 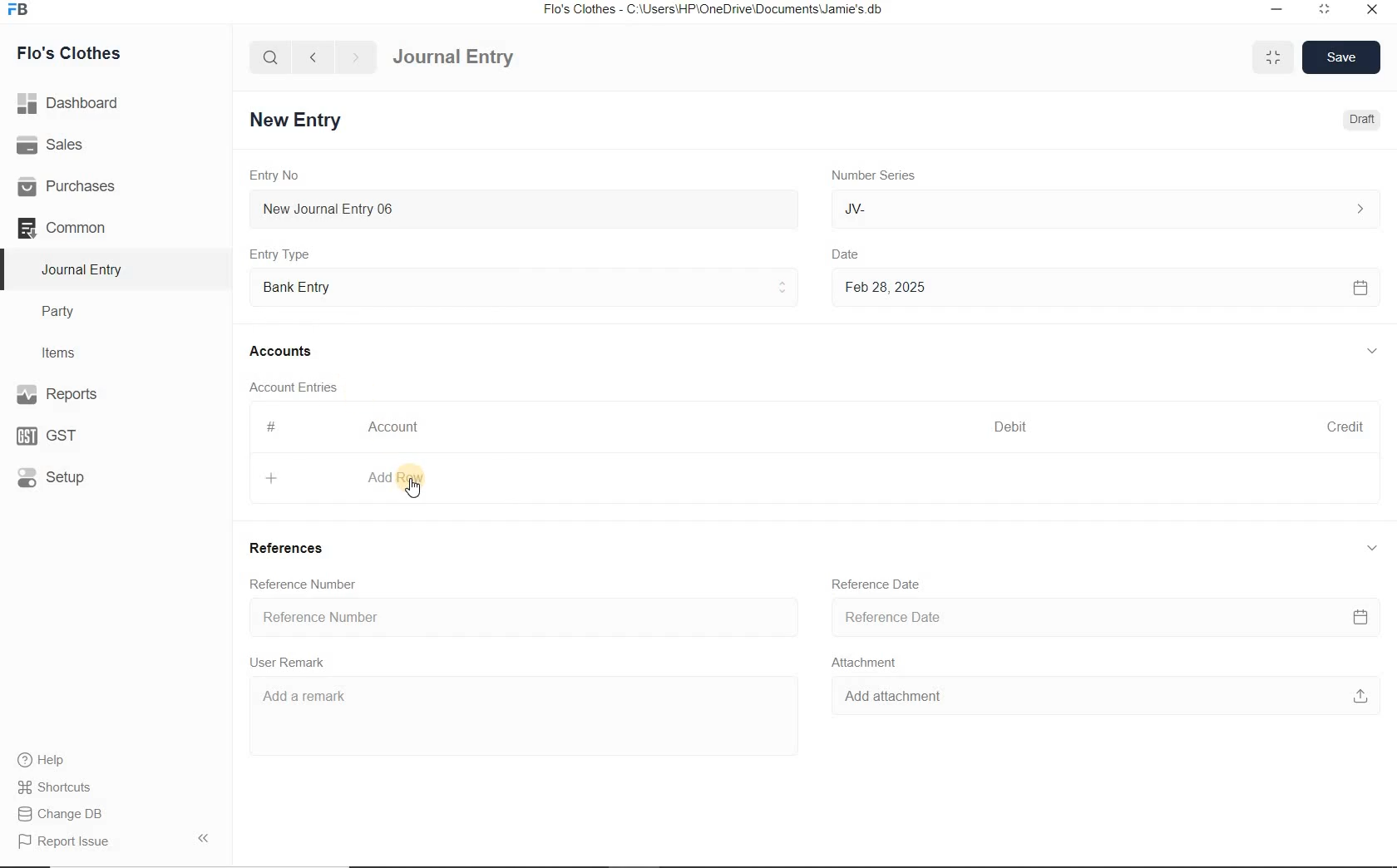 I want to click on JV, so click(x=1102, y=209).